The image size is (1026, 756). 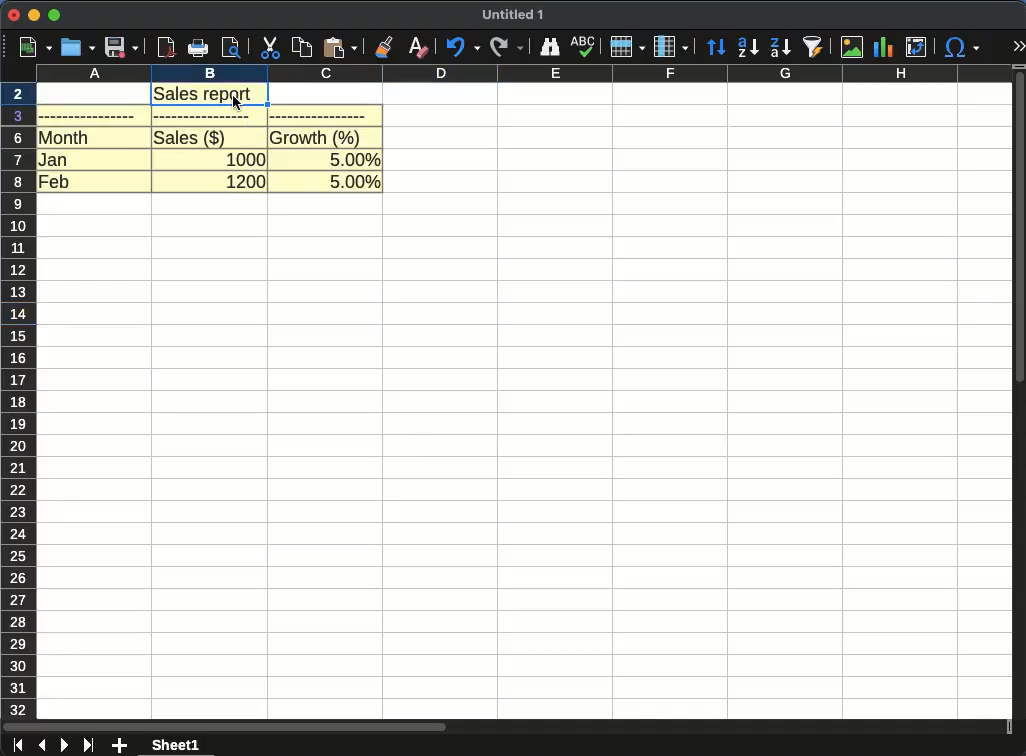 What do you see at coordinates (524, 74) in the screenshot?
I see `column` at bounding box center [524, 74].